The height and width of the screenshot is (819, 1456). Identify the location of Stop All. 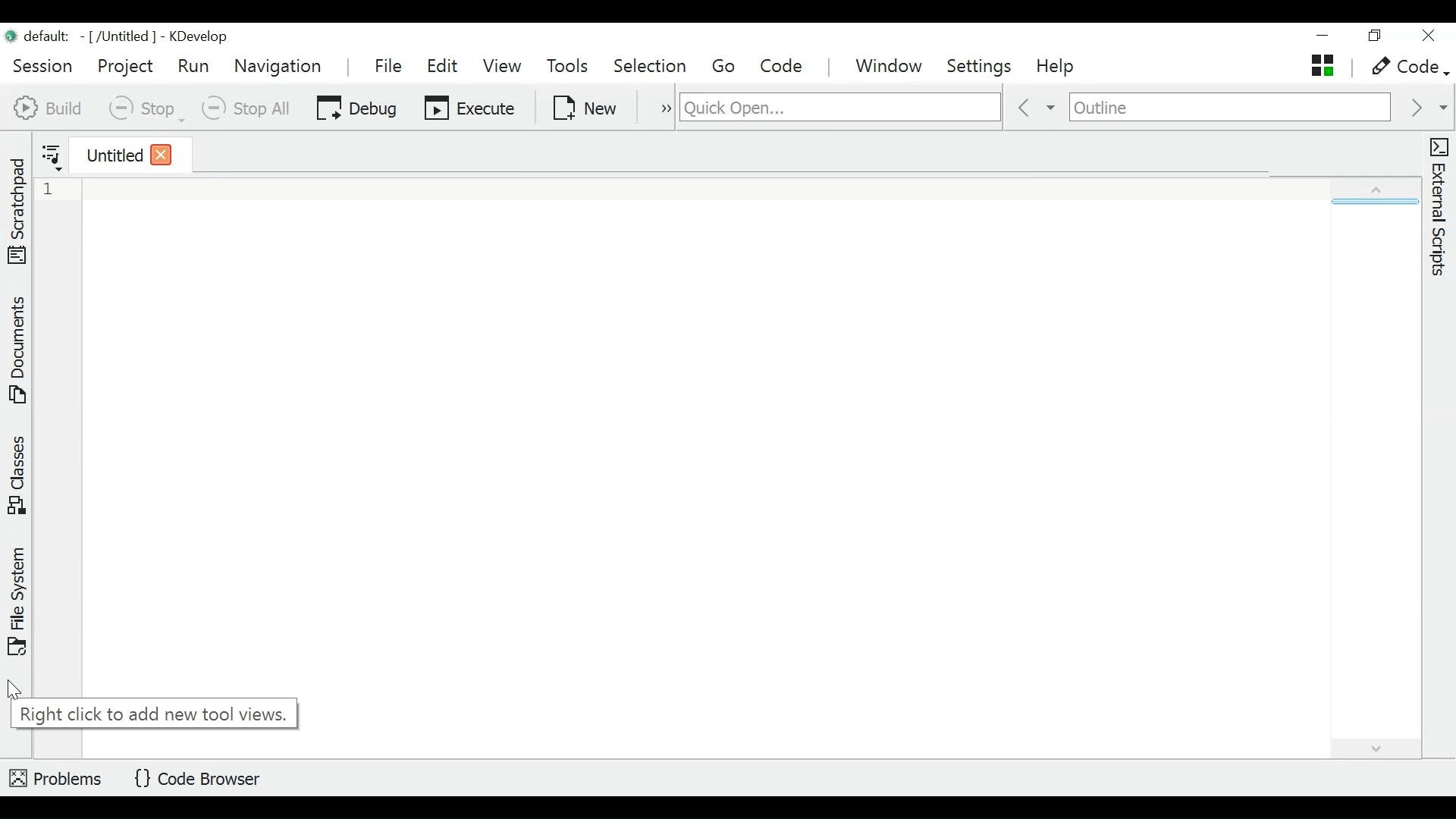
(252, 108).